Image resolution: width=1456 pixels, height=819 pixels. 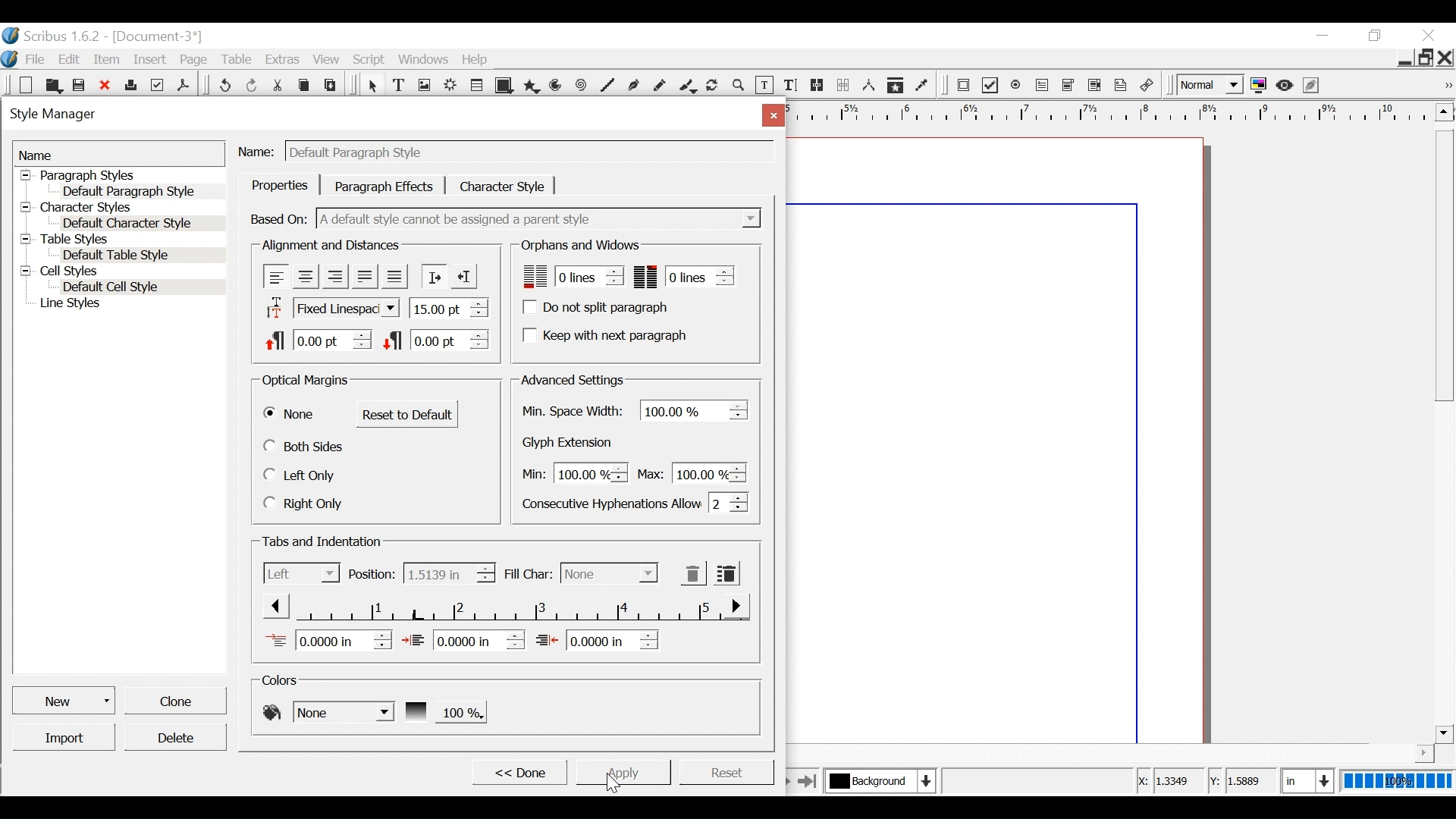 I want to click on Optical Margins, so click(x=306, y=381).